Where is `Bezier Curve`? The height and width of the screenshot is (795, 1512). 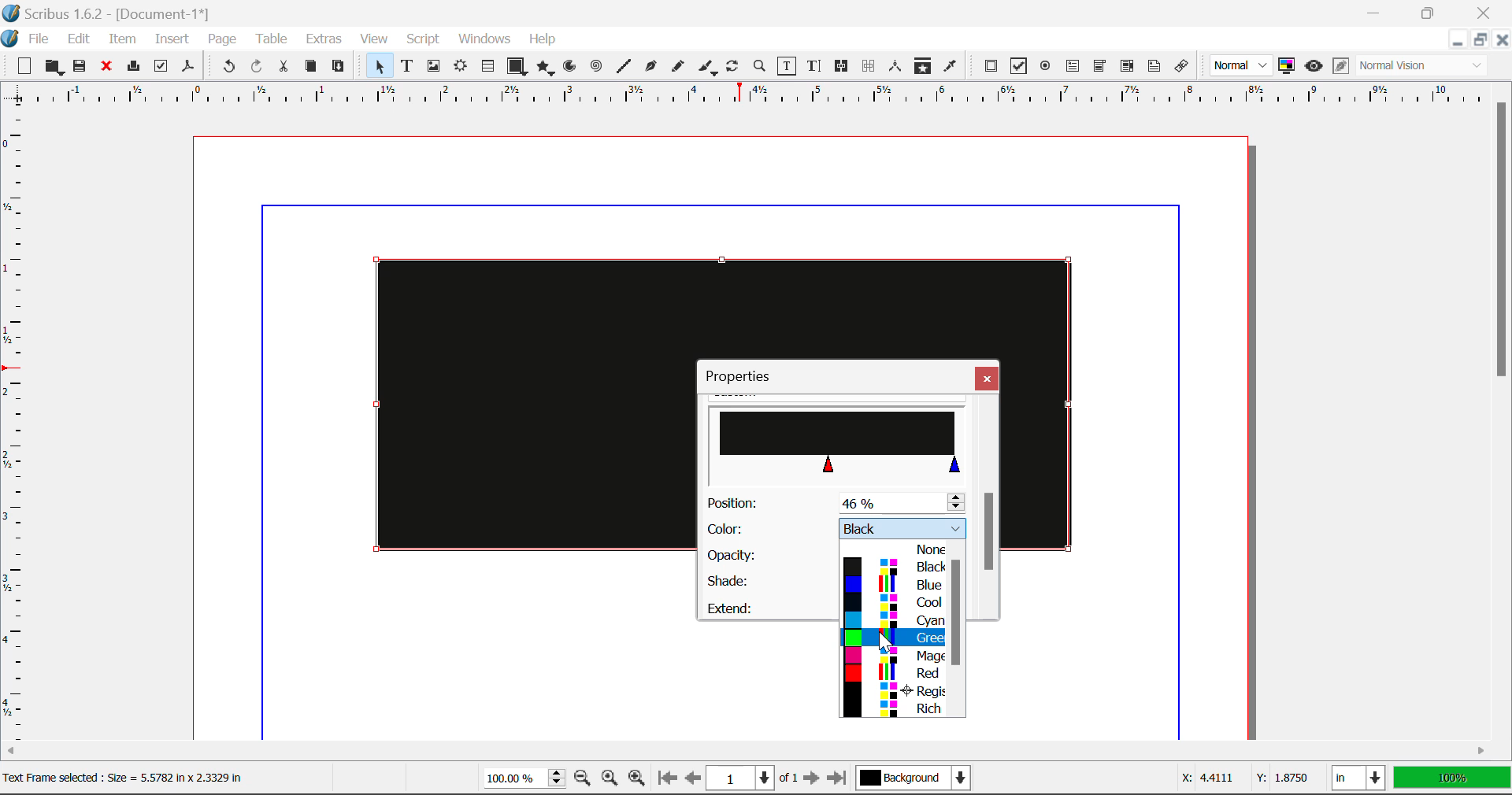 Bezier Curve is located at coordinates (651, 68).